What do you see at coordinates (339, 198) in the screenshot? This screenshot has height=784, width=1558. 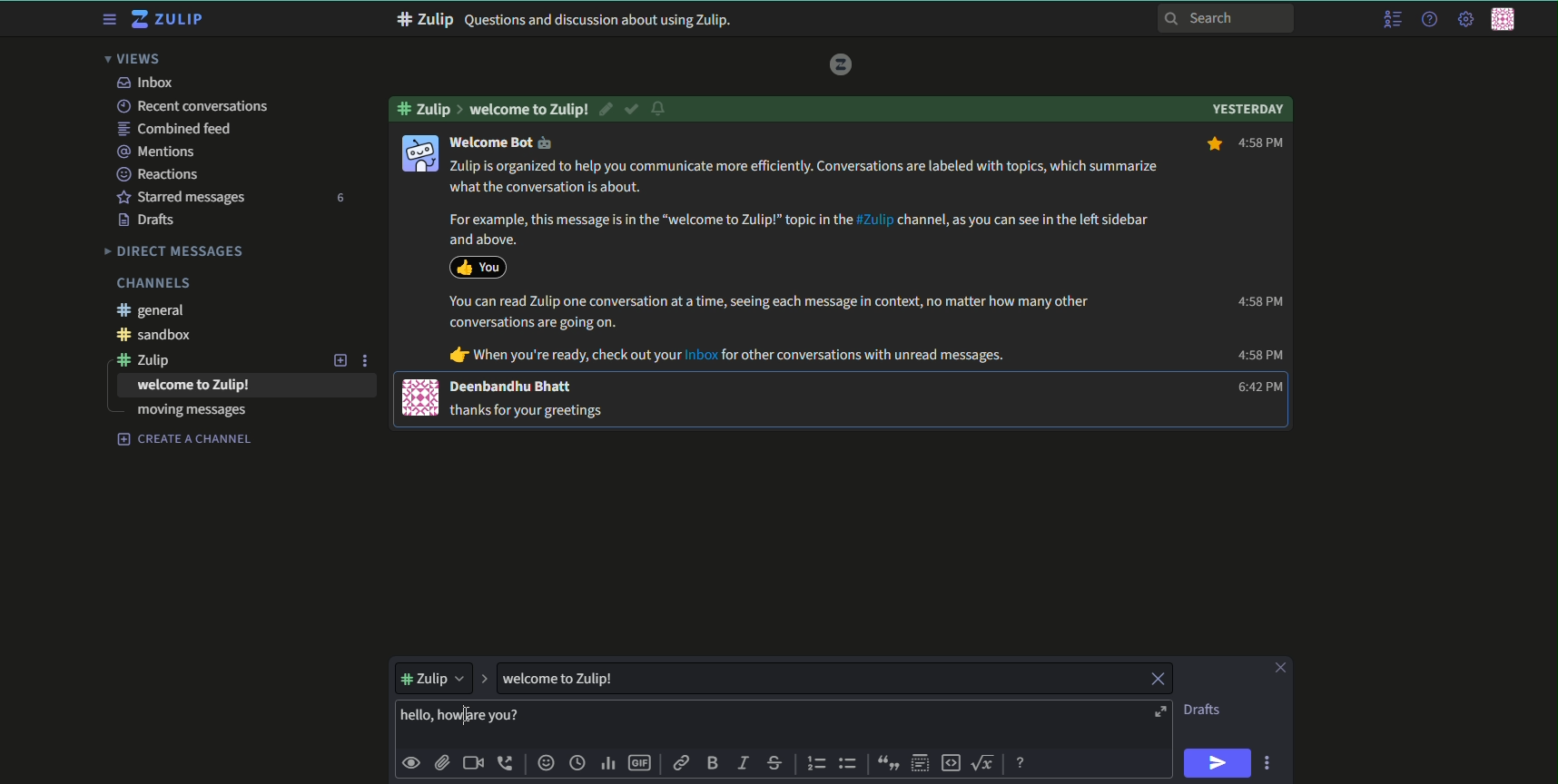 I see `number` at bounding box center [339, 198].